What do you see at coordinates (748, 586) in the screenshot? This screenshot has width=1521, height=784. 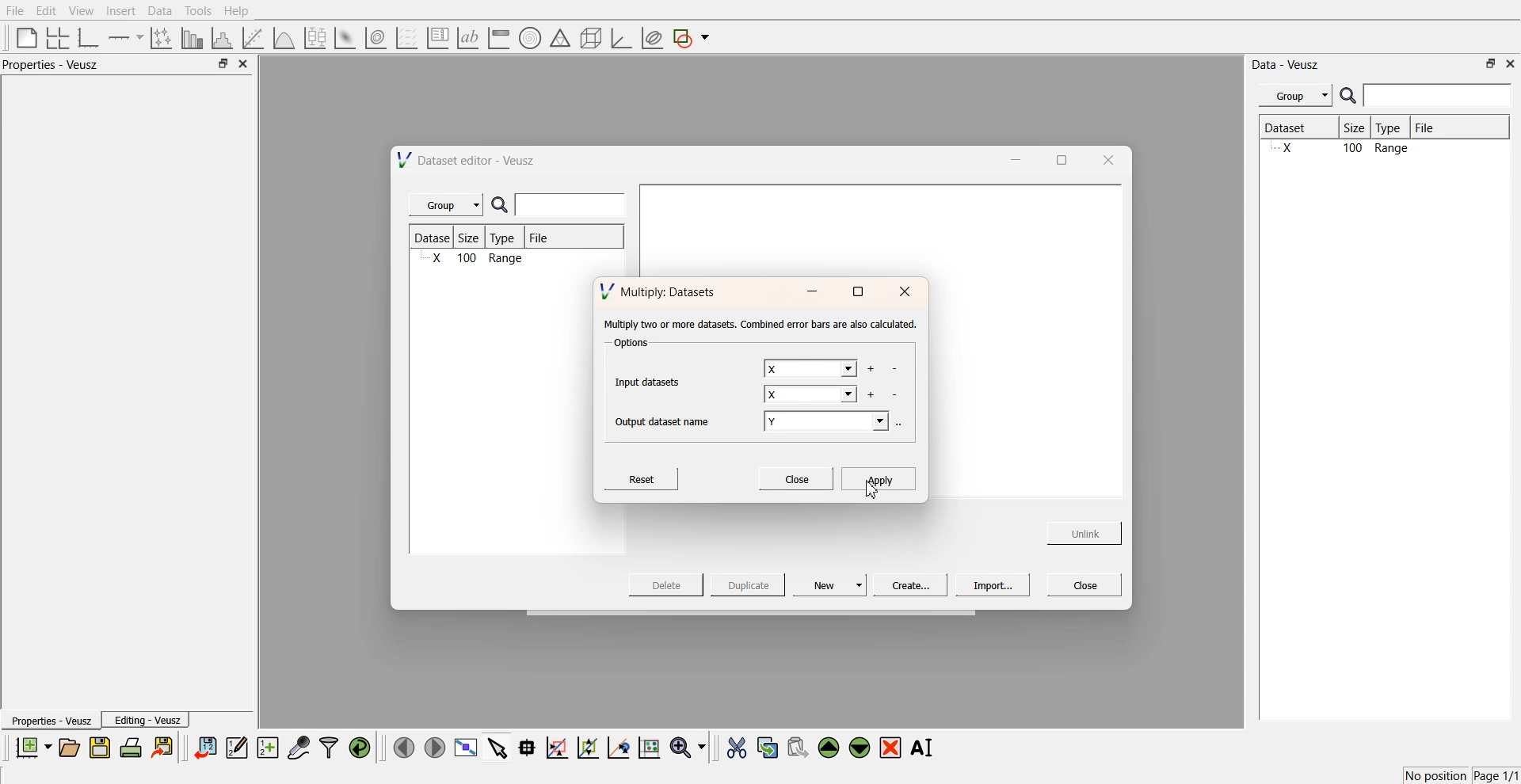 I see `Duplicate` at bounding box center [748, 586].